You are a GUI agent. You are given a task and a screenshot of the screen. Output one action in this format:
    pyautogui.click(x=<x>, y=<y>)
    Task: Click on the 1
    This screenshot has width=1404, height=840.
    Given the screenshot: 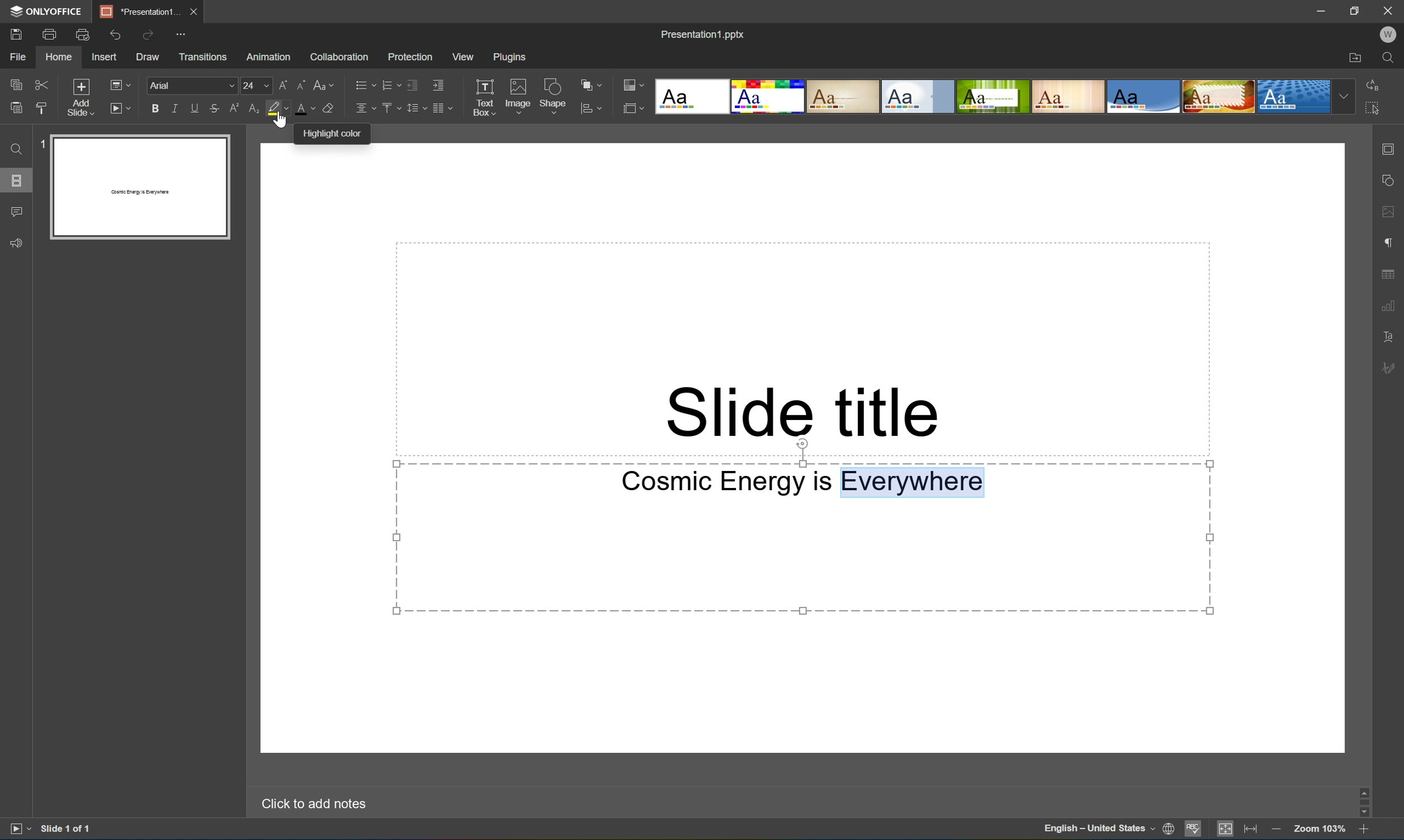 What is the action you would take?
    pyautogui.click(x=43, y=142)
    